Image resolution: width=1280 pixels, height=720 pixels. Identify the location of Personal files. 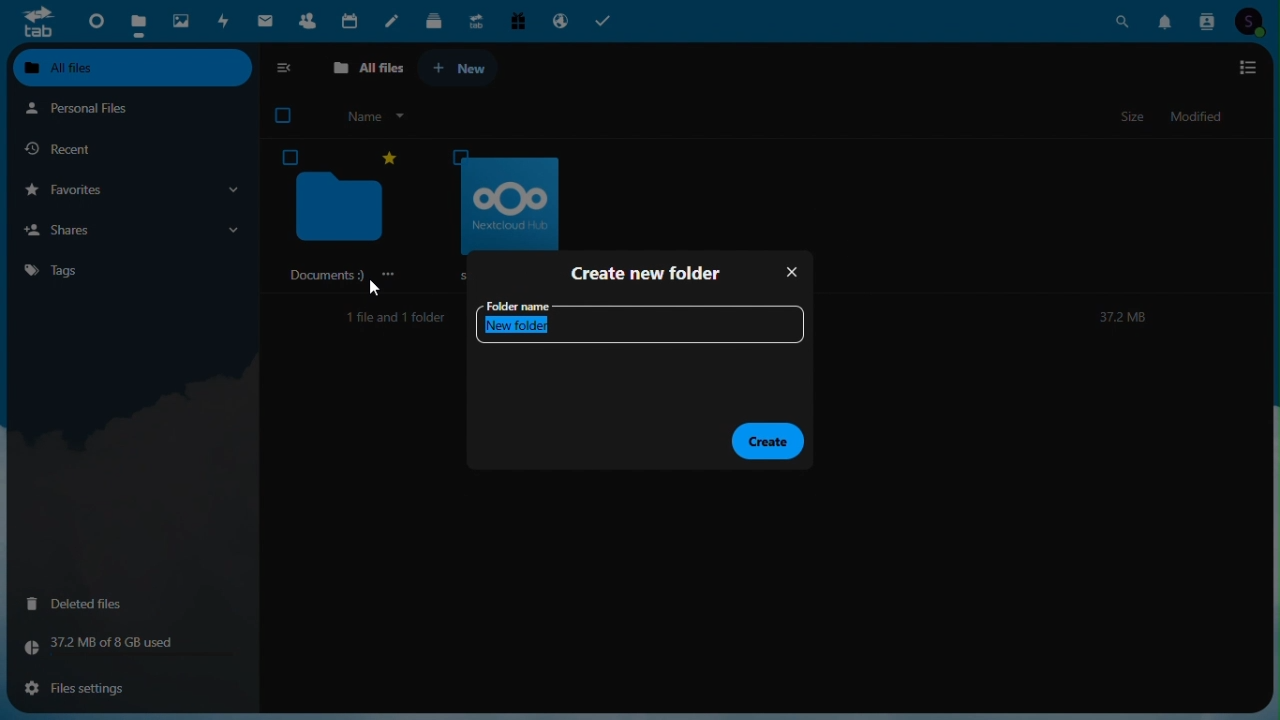
(129, 108).